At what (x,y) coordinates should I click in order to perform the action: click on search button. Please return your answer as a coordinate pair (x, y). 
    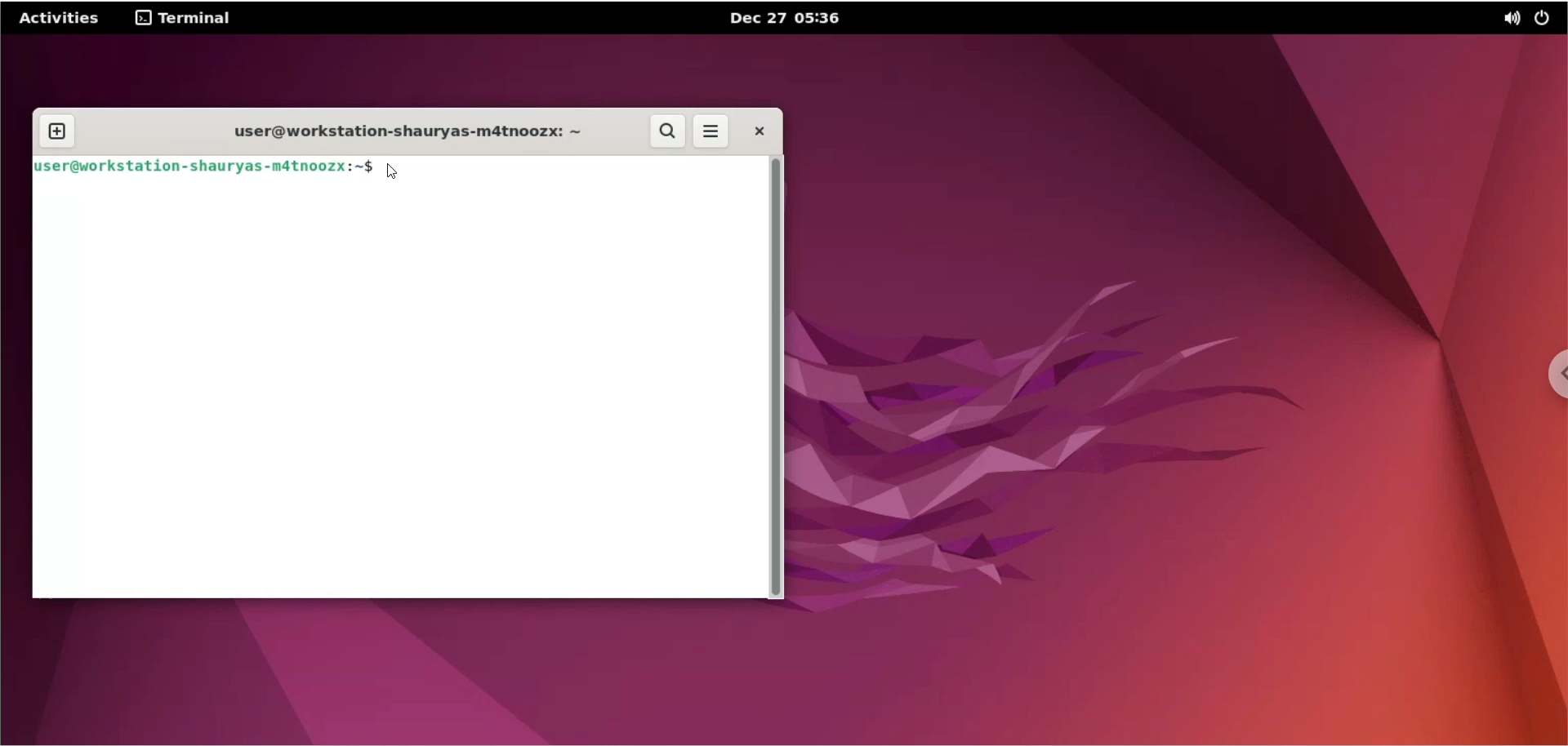
    Looking at the image, I should click on (666, 132).